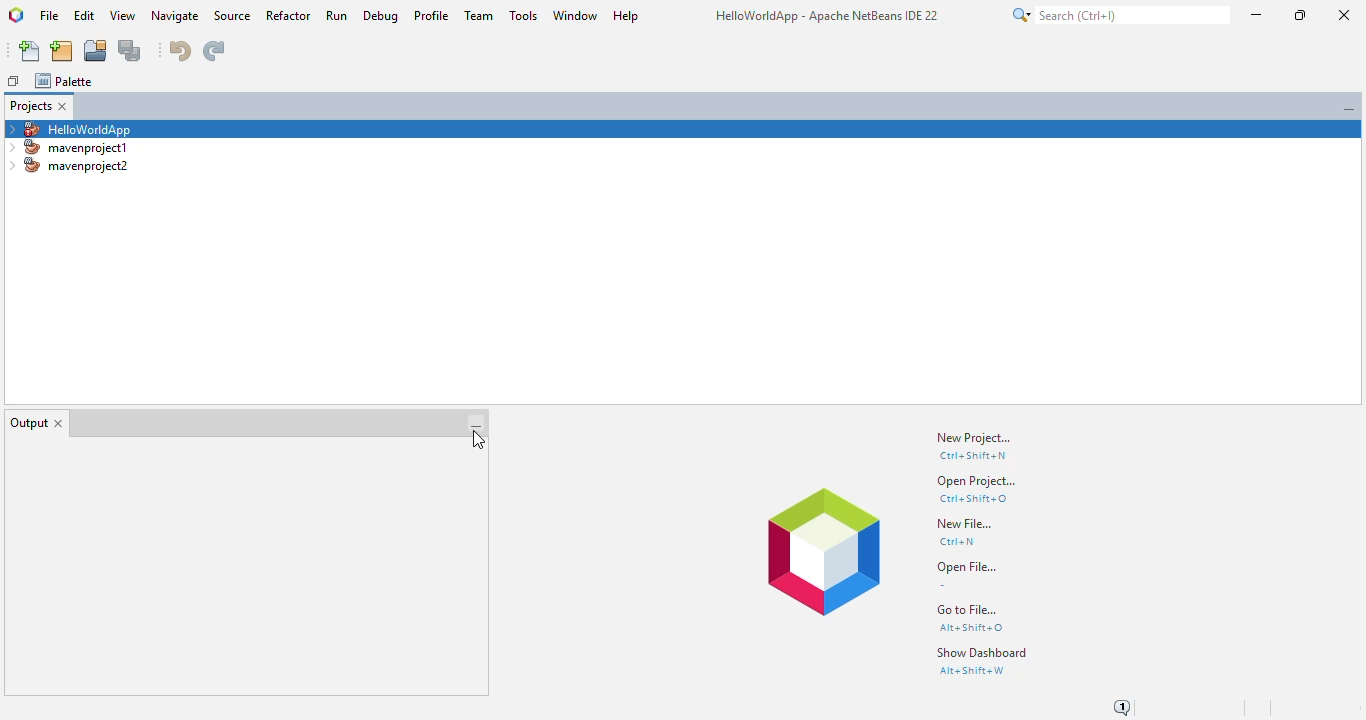 Image resolution: width=1366 pixels, height=720 pixels. I want to click on source, so click(233, 16).